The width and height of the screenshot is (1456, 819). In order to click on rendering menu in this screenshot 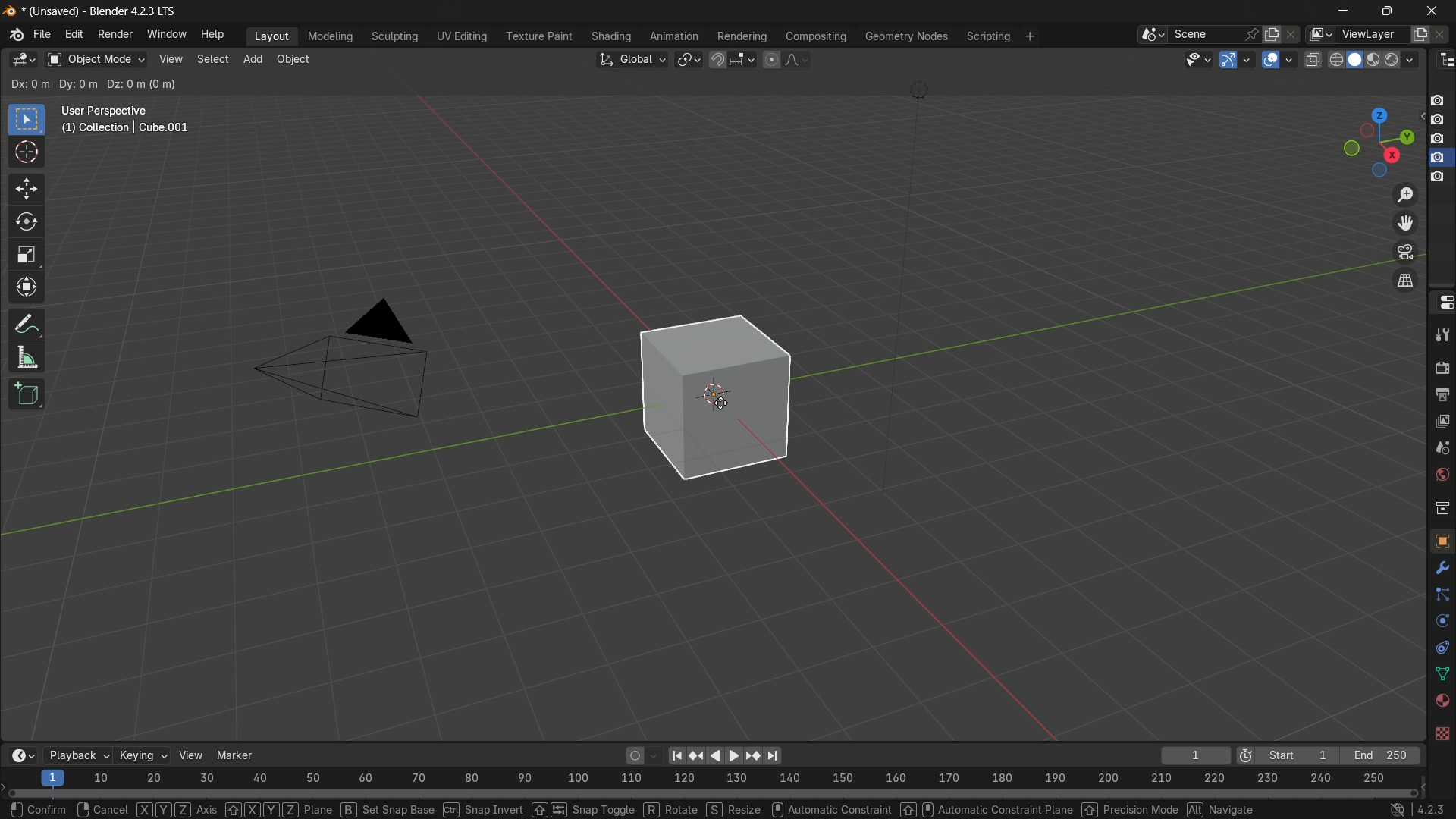, I will do `click(740, 36)`.